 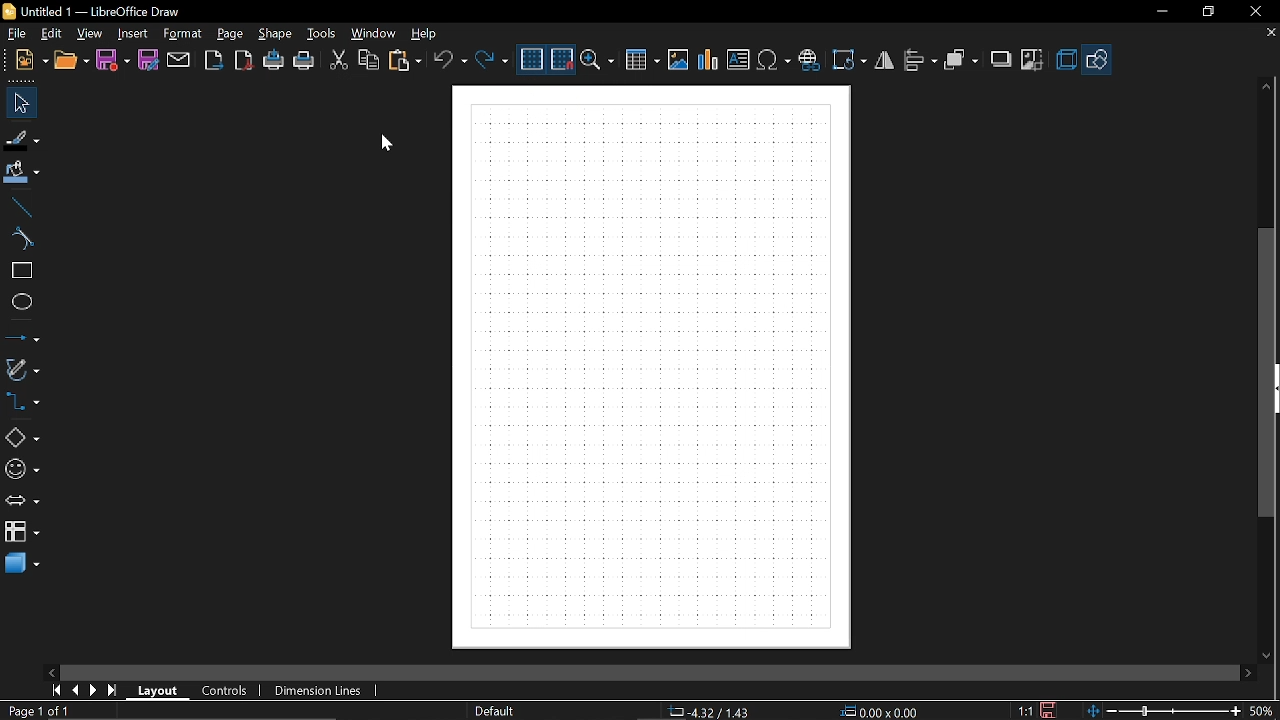 I want to click on fill color, so click(x=21, y=174).